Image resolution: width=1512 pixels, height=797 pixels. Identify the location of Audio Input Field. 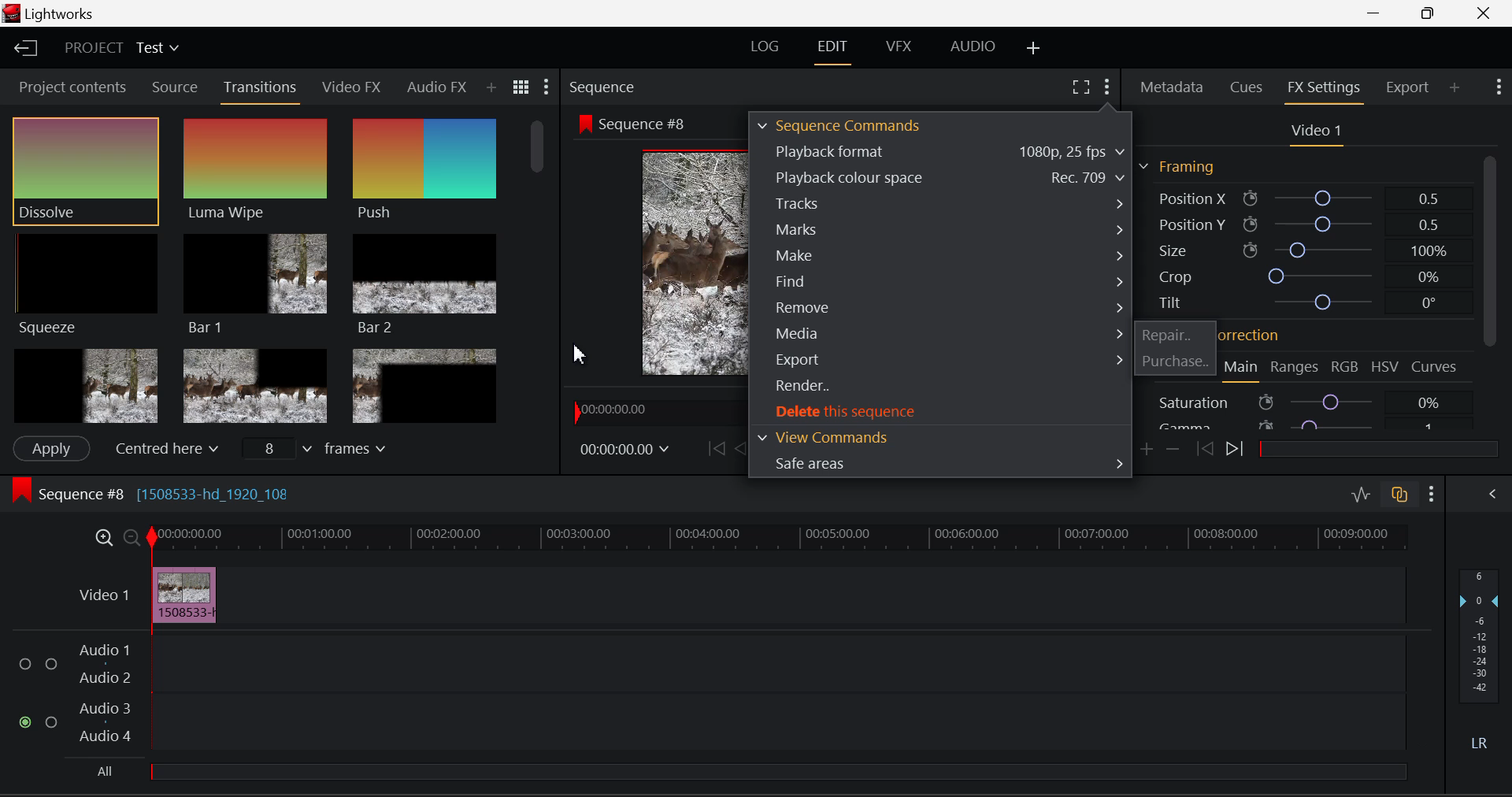
(703, 693).